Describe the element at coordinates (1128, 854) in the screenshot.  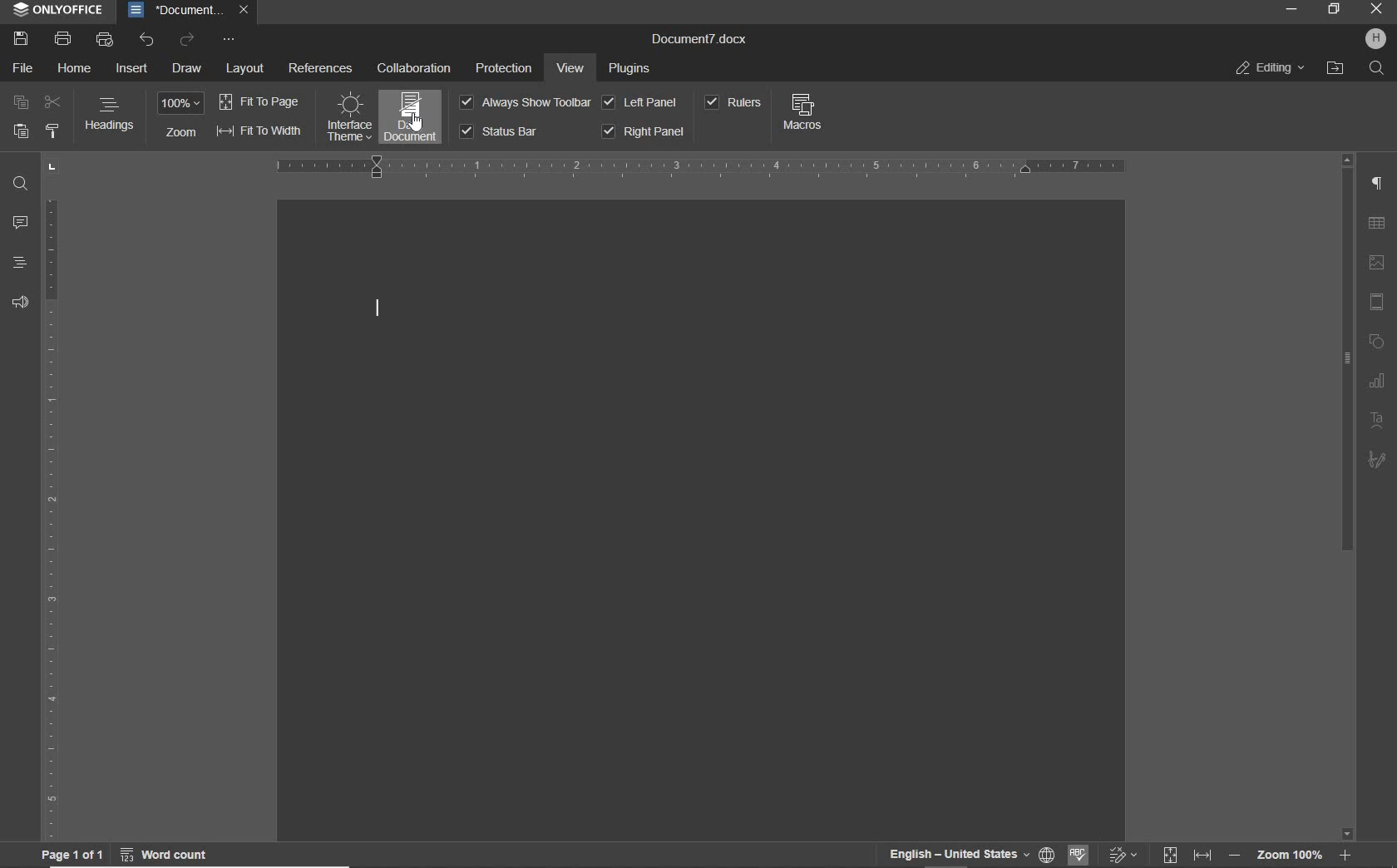
I see `TRACK CHANGES` at that location.